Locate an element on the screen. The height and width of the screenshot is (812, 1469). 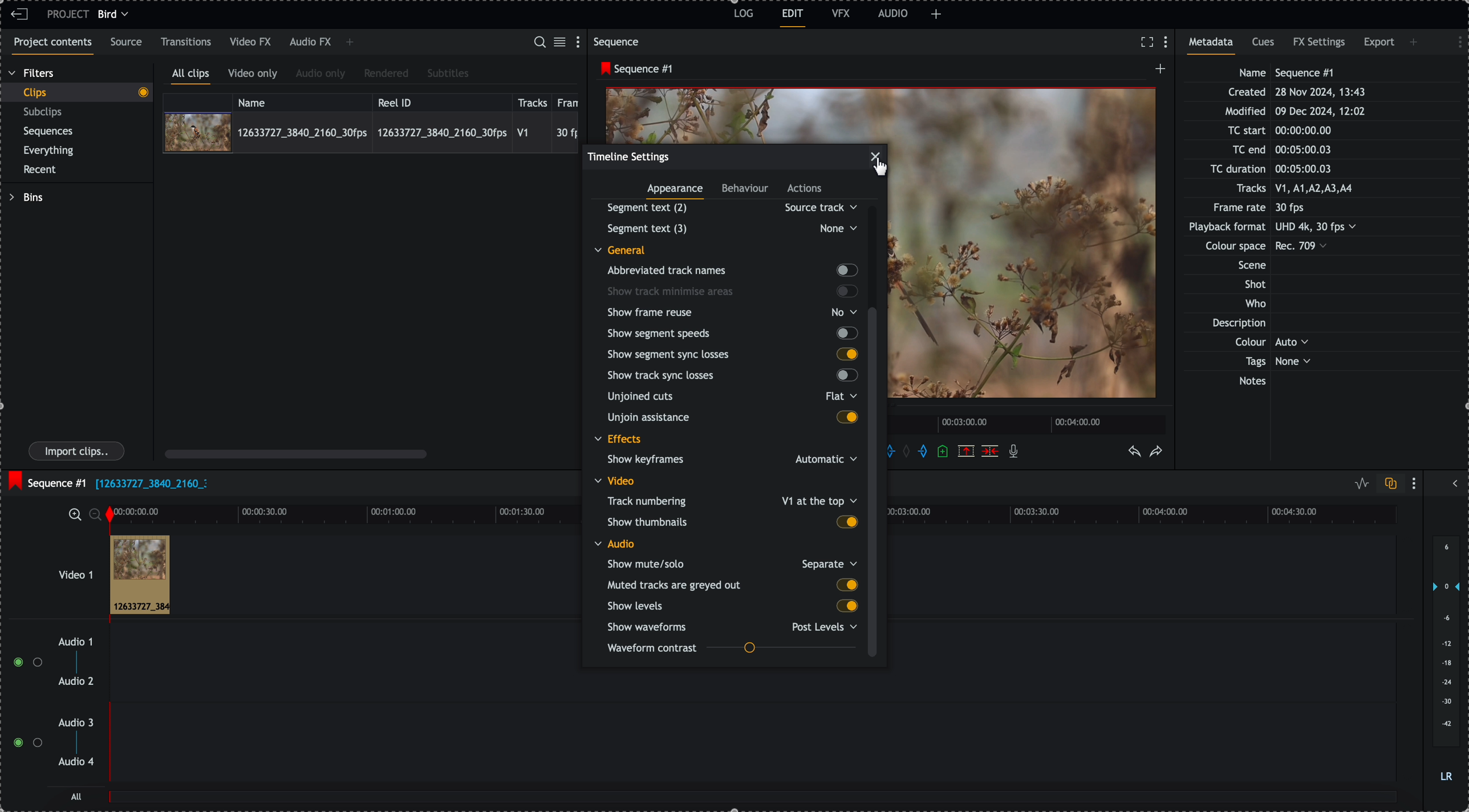
audio output level (d/B) is located at coordinates (1445, 660).